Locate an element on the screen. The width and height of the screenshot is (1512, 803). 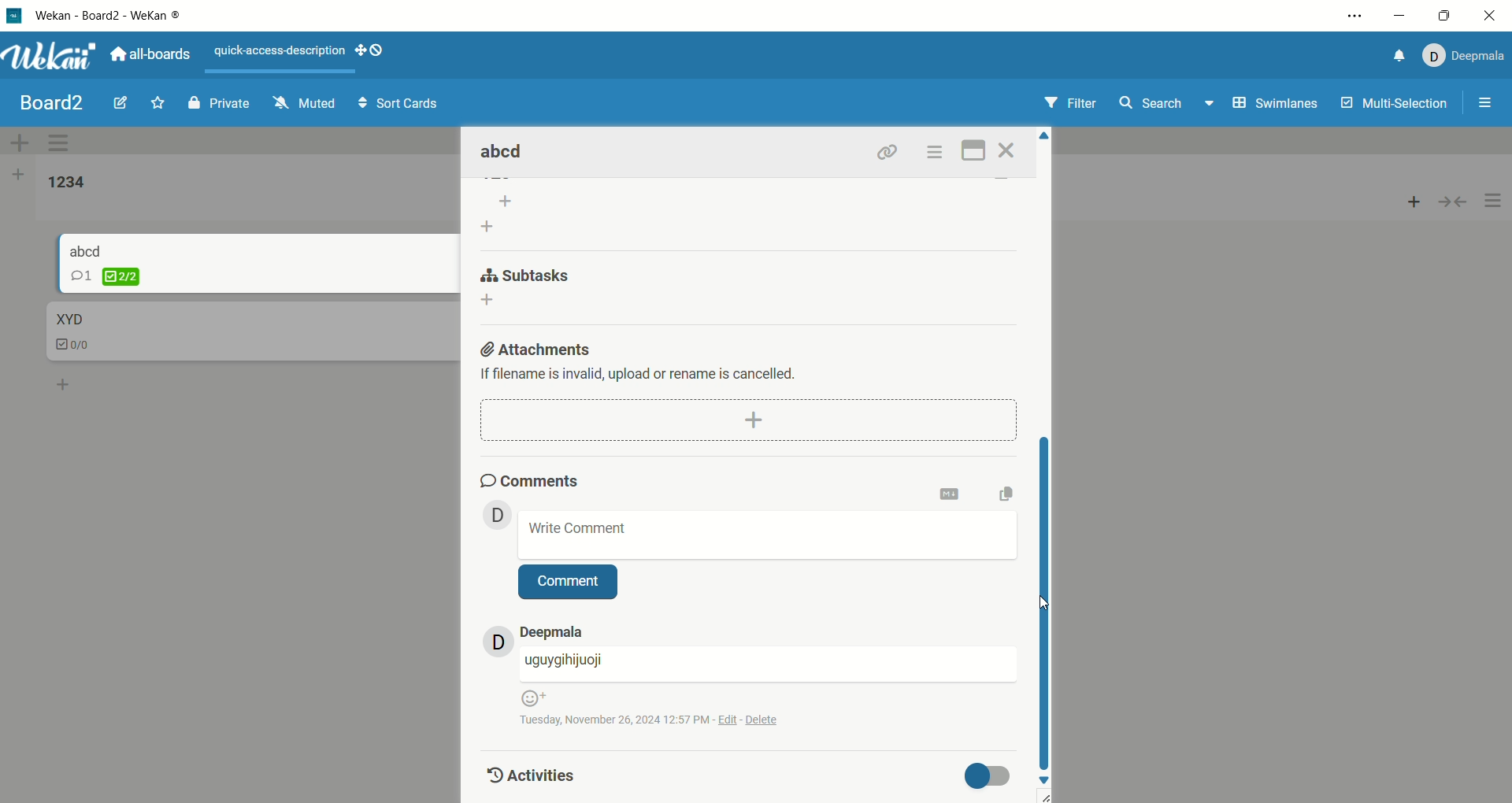
options is located at coordinates (1487, 105).